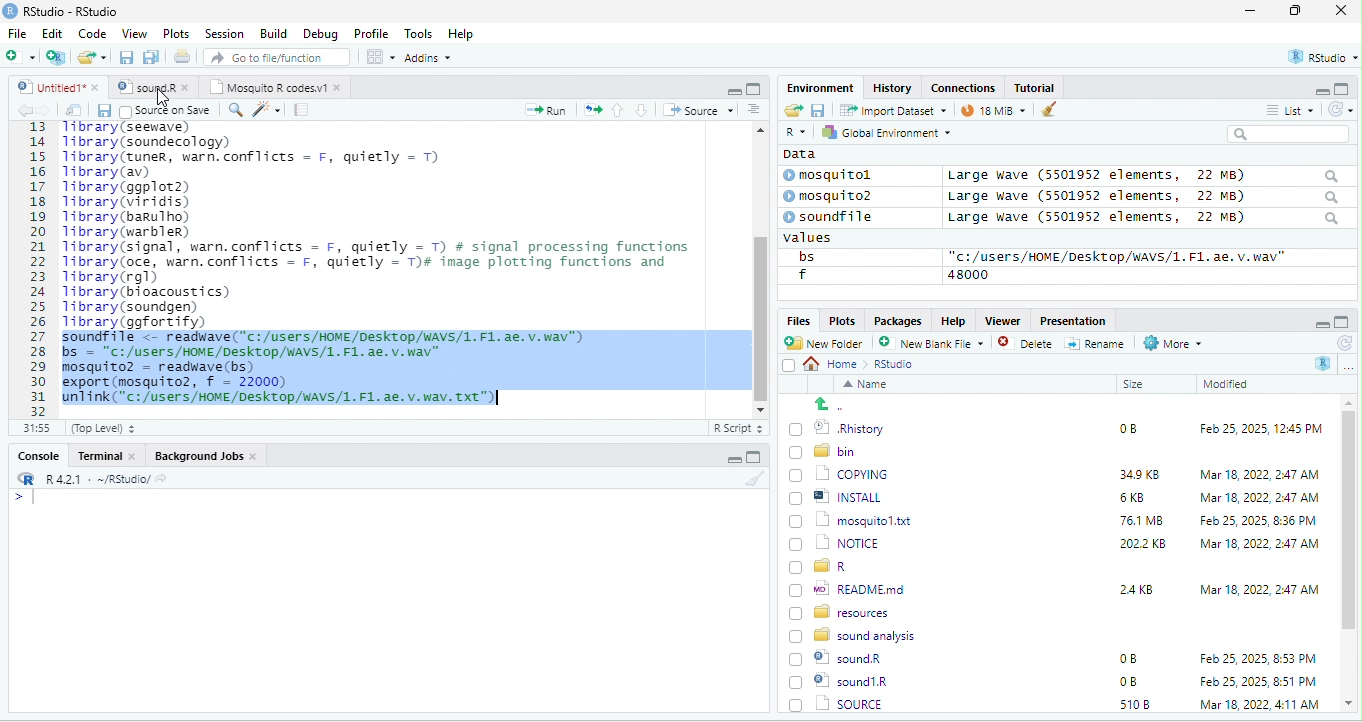 The width and height of the screenshot is (1362, 722). What do you see at coordinates (184, 59) in the screenshot?
I see `open` at bounding box center [184, 59].